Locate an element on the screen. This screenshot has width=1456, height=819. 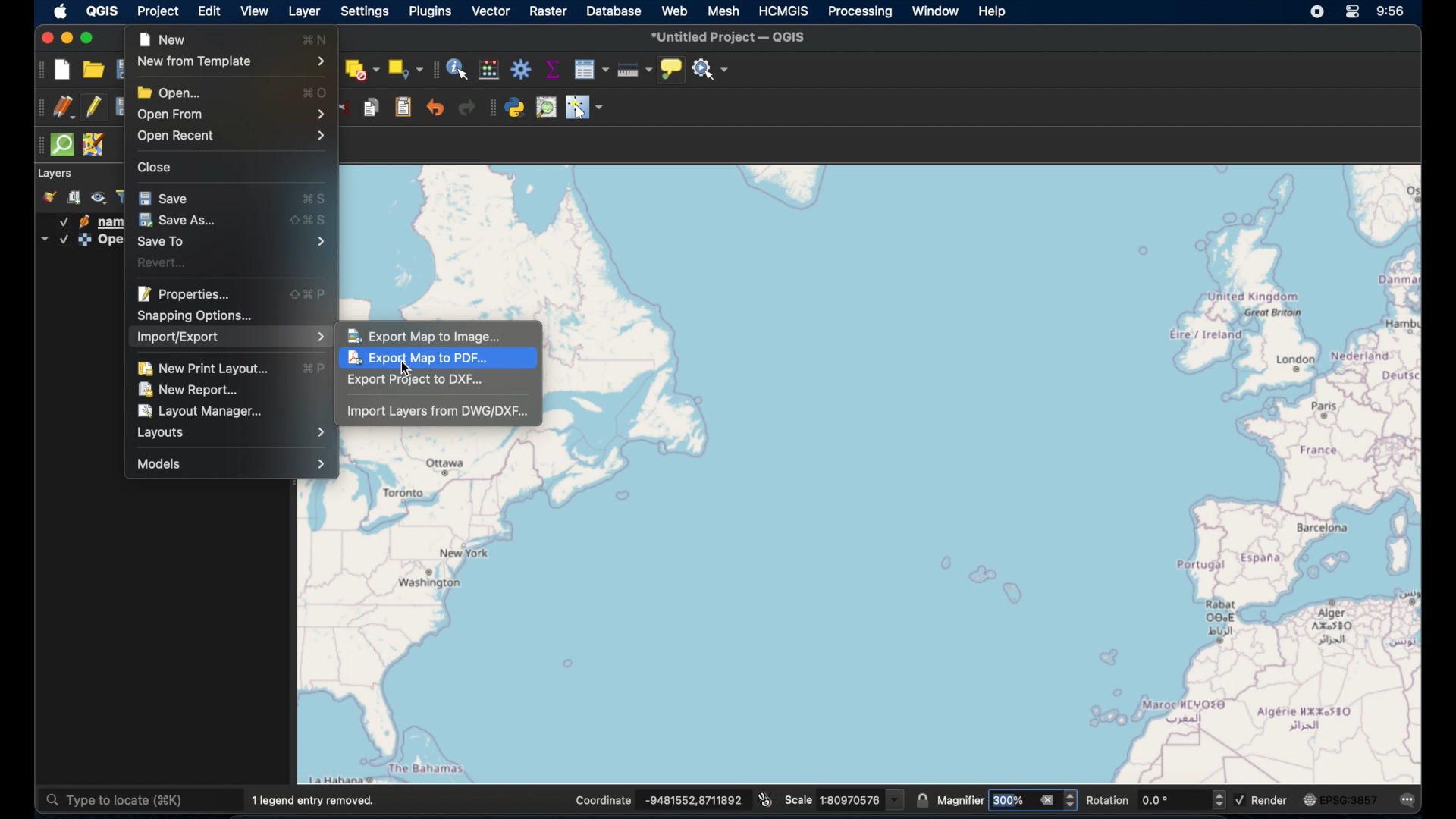
copy features is located at coordinates (372, 107).